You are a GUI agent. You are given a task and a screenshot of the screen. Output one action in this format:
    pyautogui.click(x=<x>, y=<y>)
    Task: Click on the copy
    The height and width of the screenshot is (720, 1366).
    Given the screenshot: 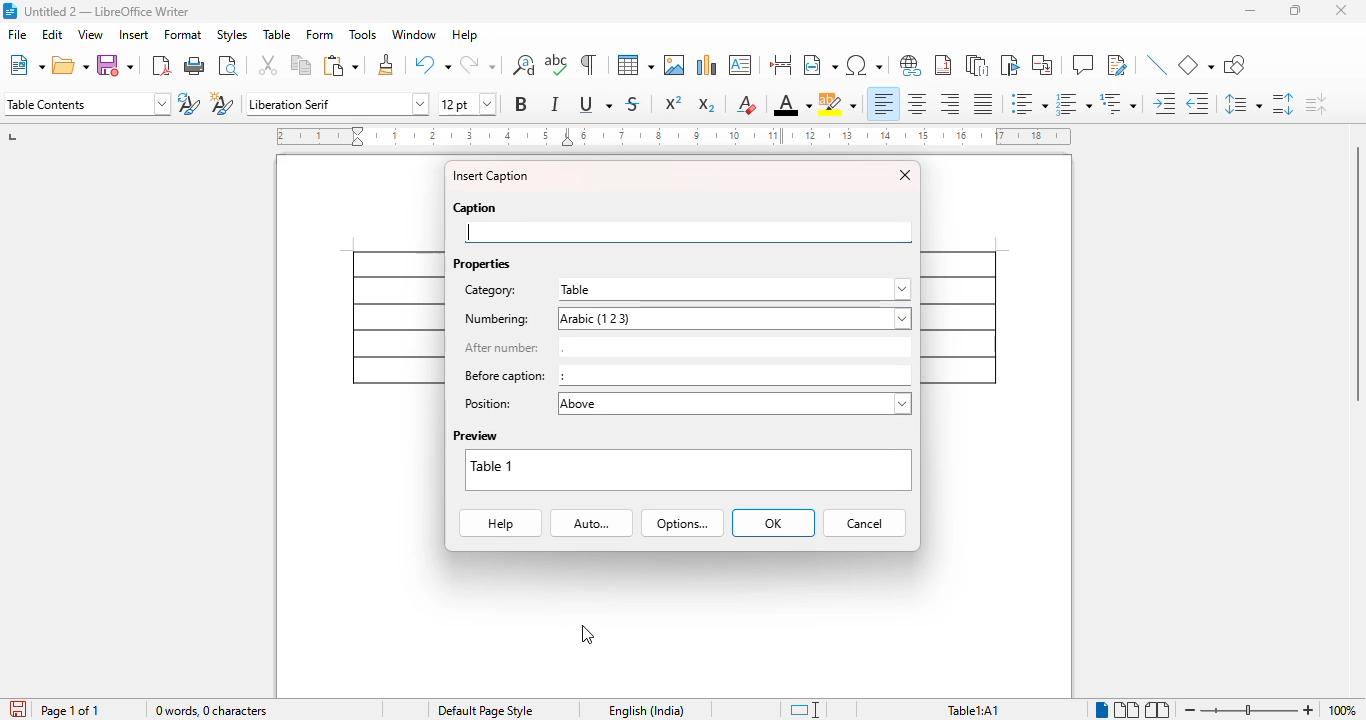 What is the action you would take?
    pyautogui.click(x=302, y=64)
    